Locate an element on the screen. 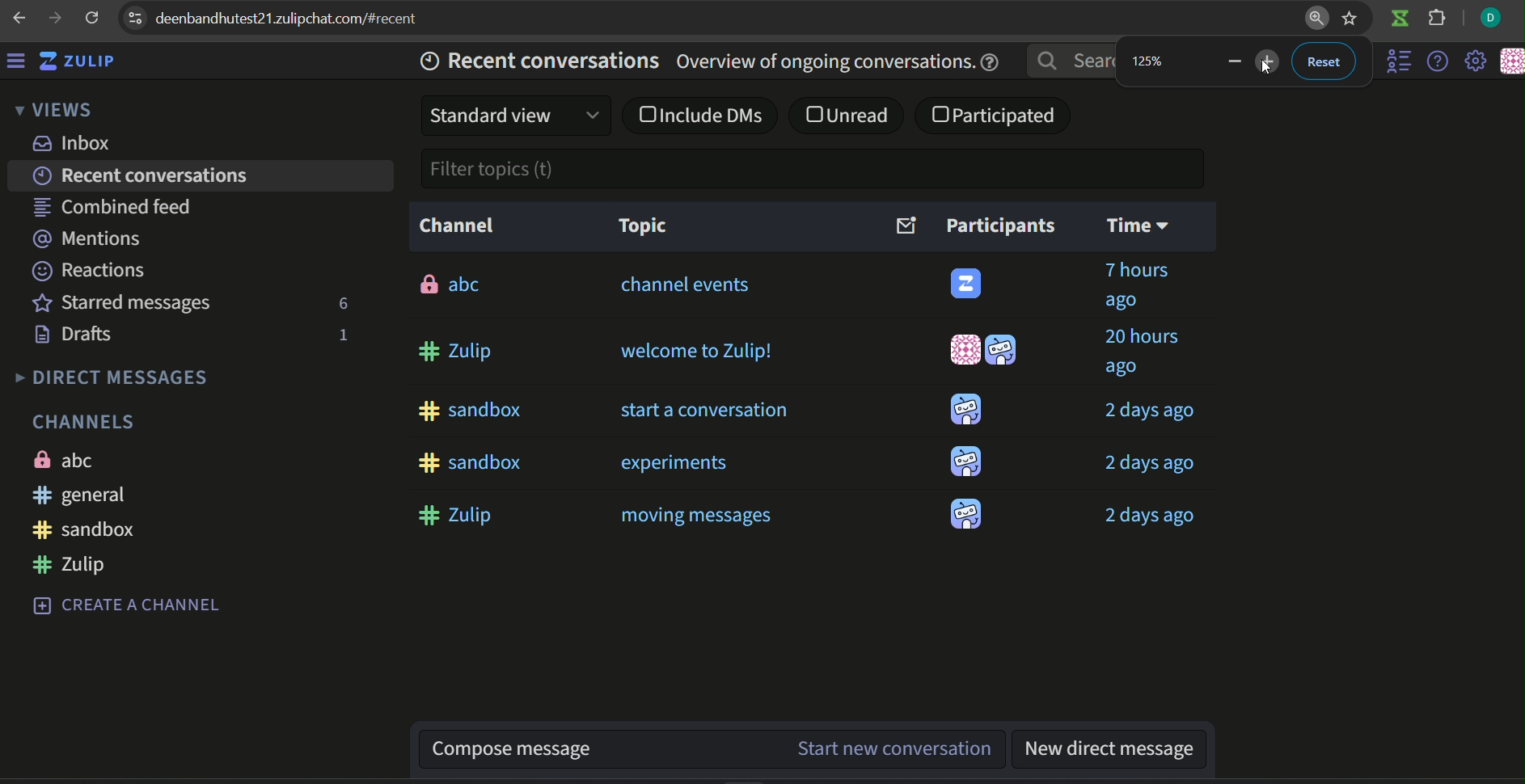 The height and width of the screenshot is (784, 1525). icon is located at coordinates (967, 512).